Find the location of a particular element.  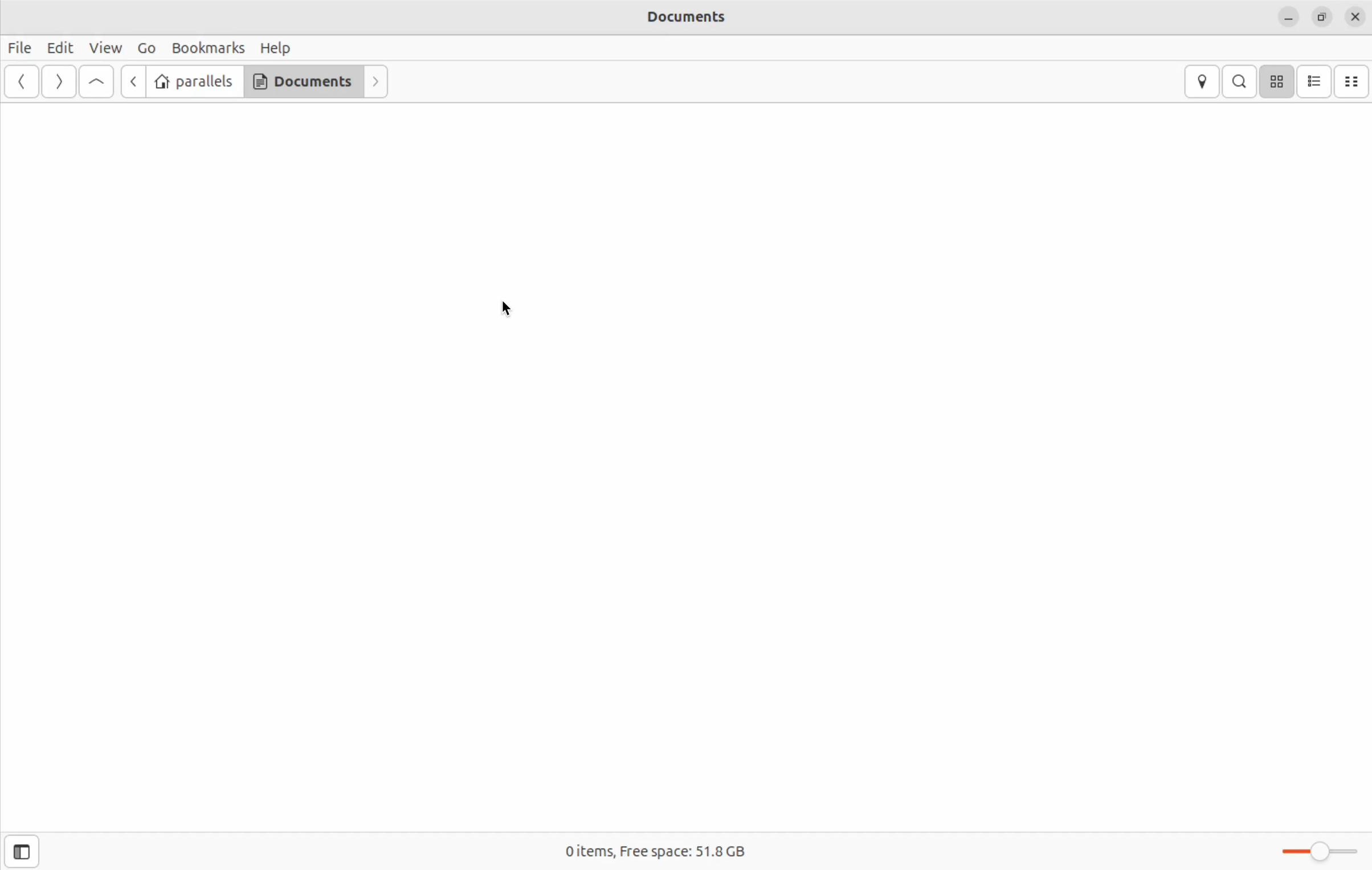

documents is located at coordinates (303, 81).